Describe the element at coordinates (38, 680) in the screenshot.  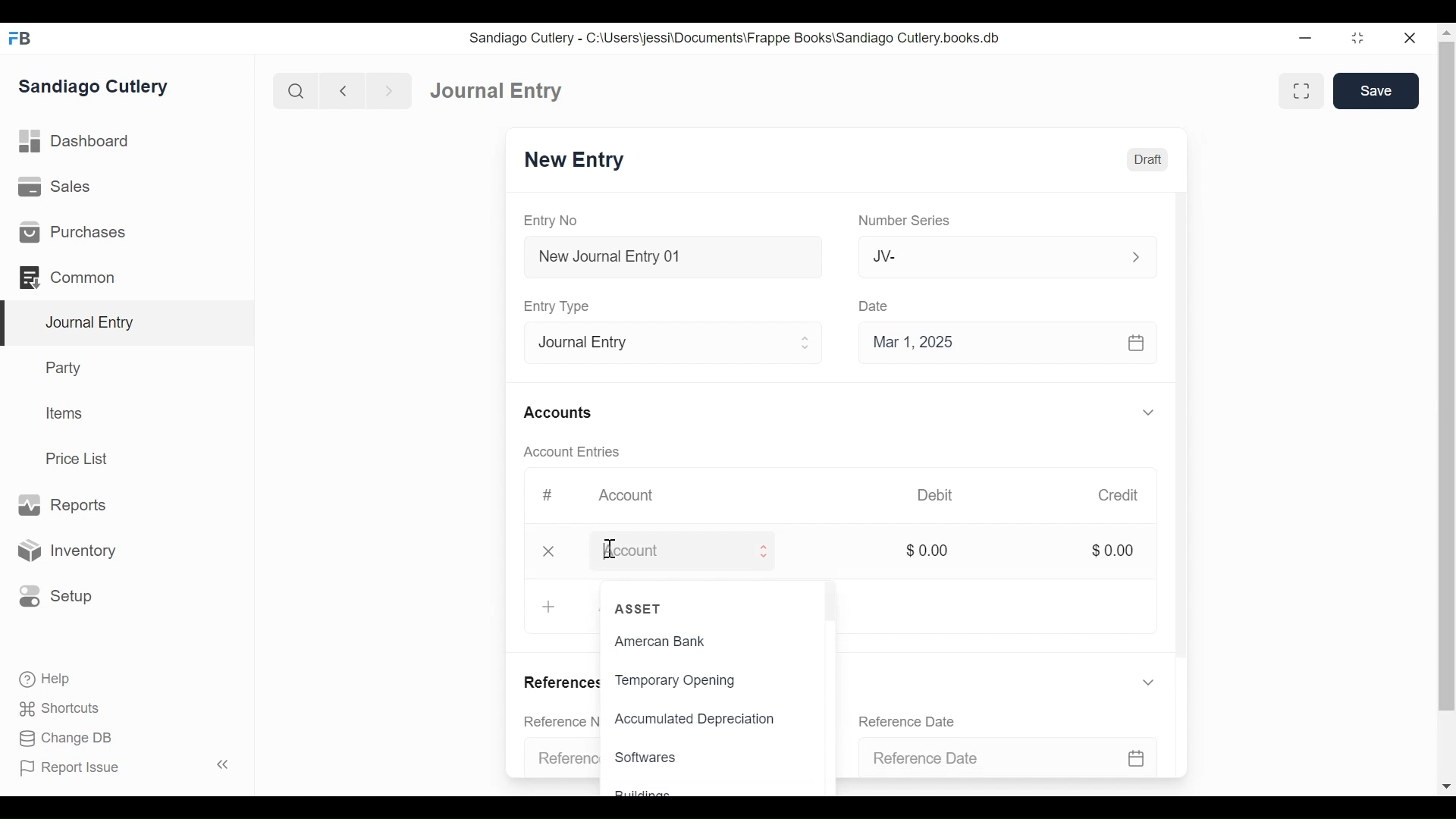
I see `Help` at that location.